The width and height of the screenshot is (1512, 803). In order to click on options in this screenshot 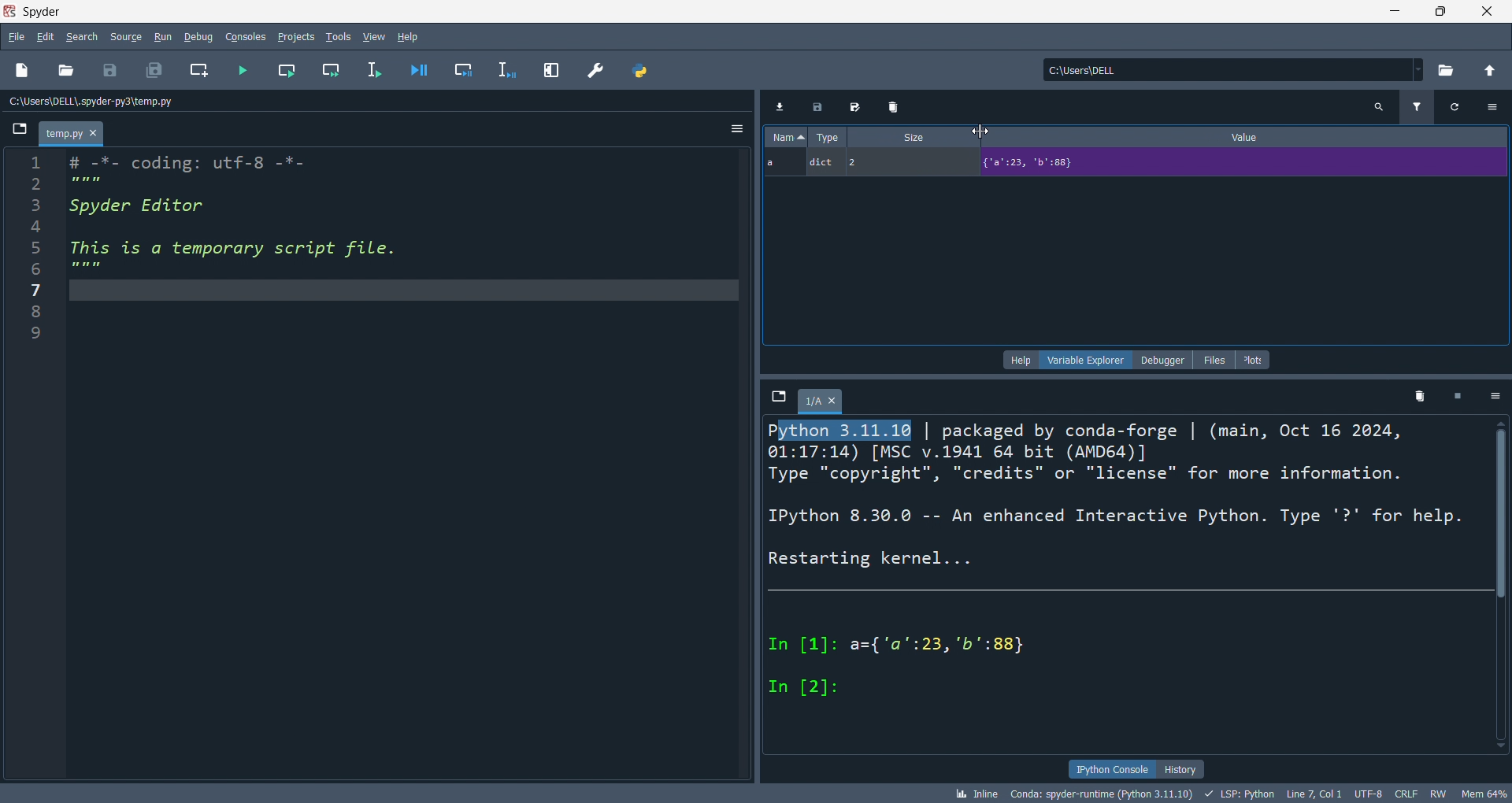, I will do `click(1497, 106)`.